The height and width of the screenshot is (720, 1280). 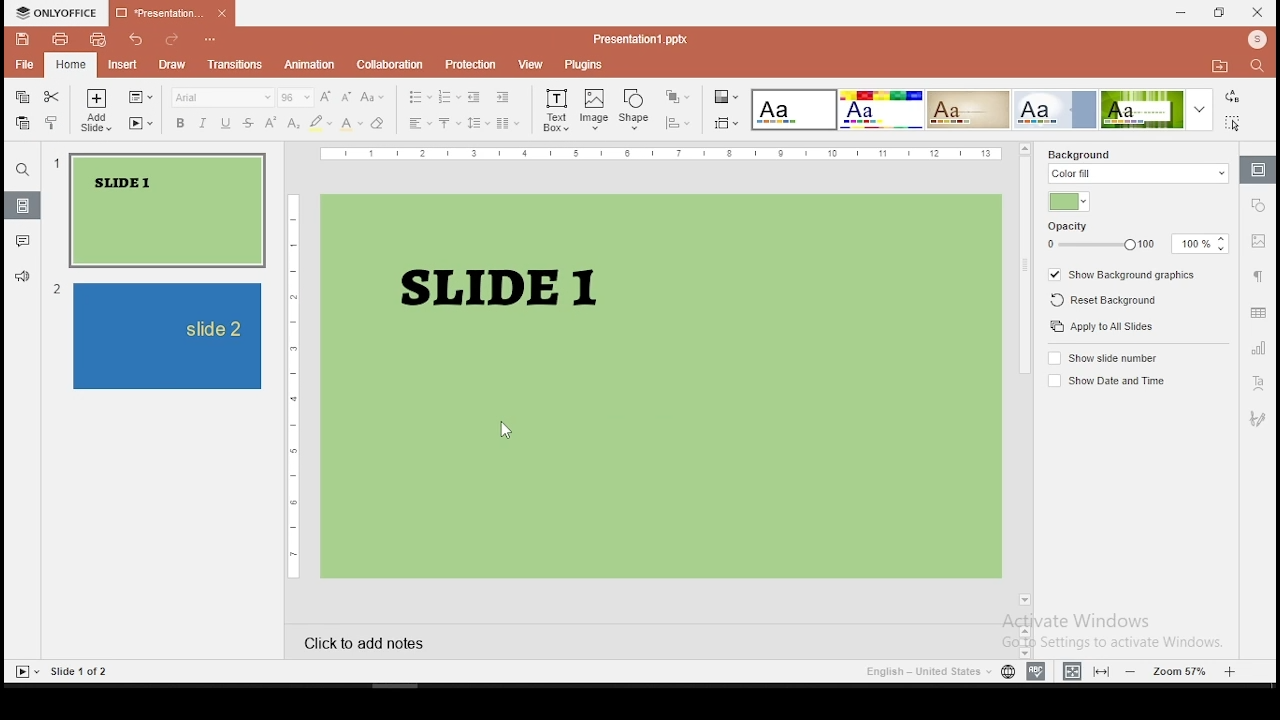 I want to click on cut, so click(x=51, y=96).